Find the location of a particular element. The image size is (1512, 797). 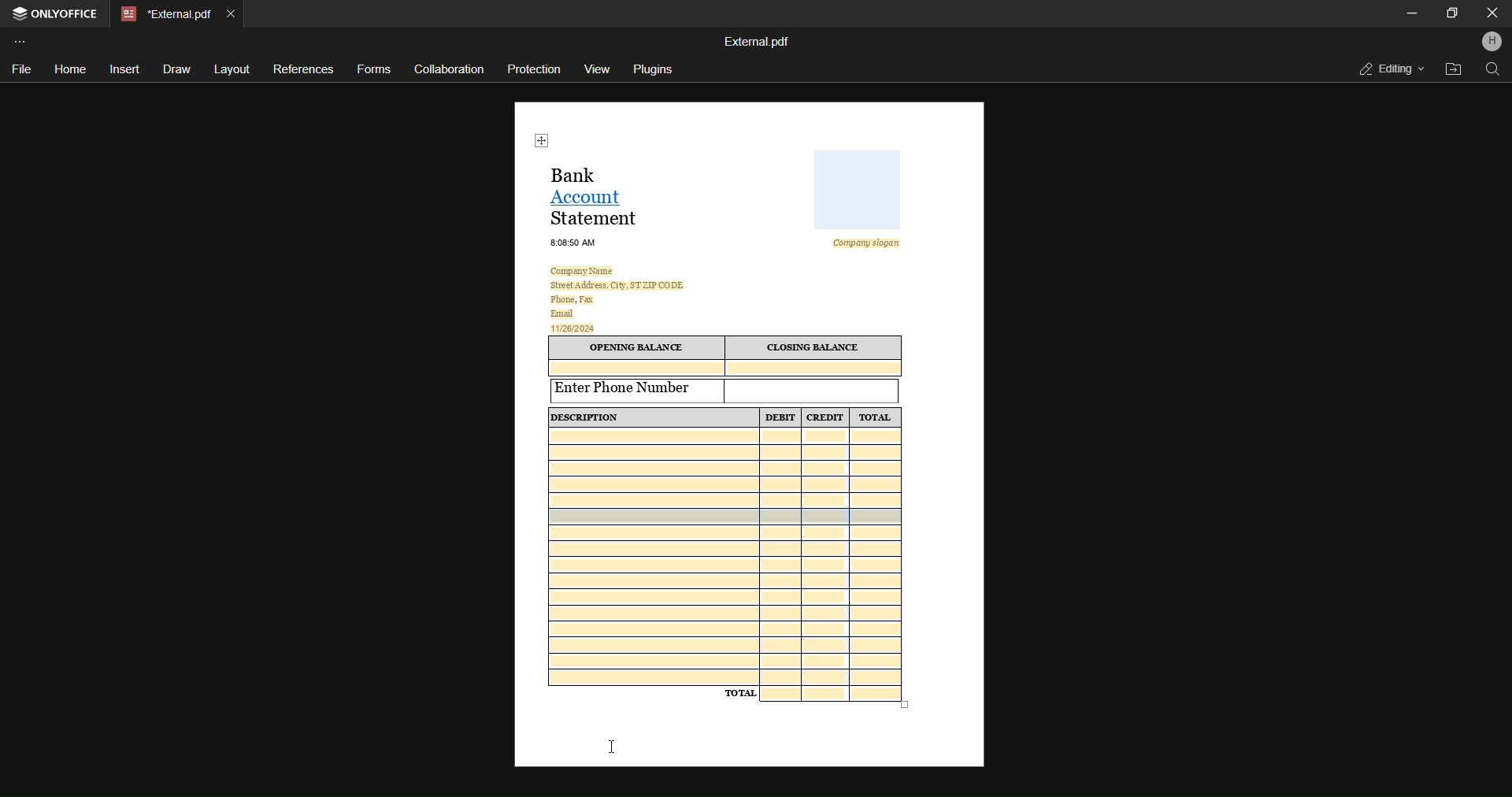

file name is located at coordinates (757, 40).